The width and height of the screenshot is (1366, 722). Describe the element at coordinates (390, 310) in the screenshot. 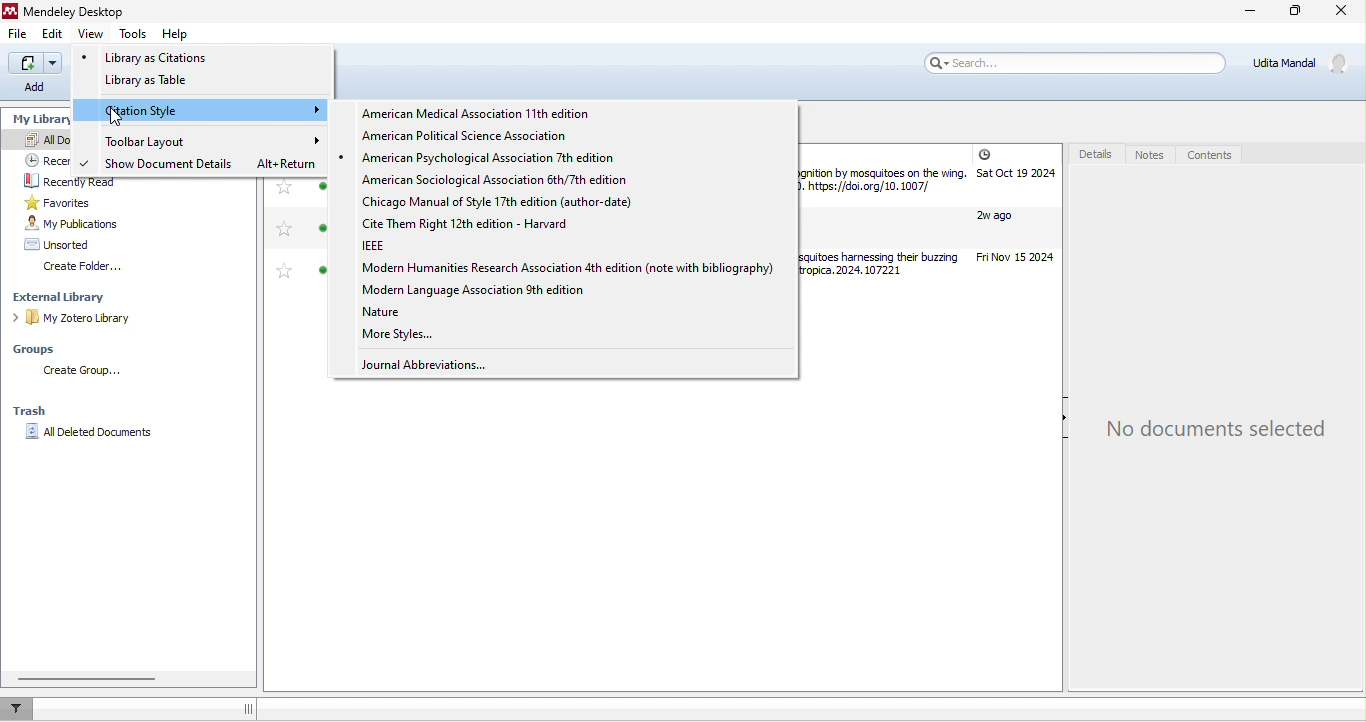

I see `Nature` at that location.